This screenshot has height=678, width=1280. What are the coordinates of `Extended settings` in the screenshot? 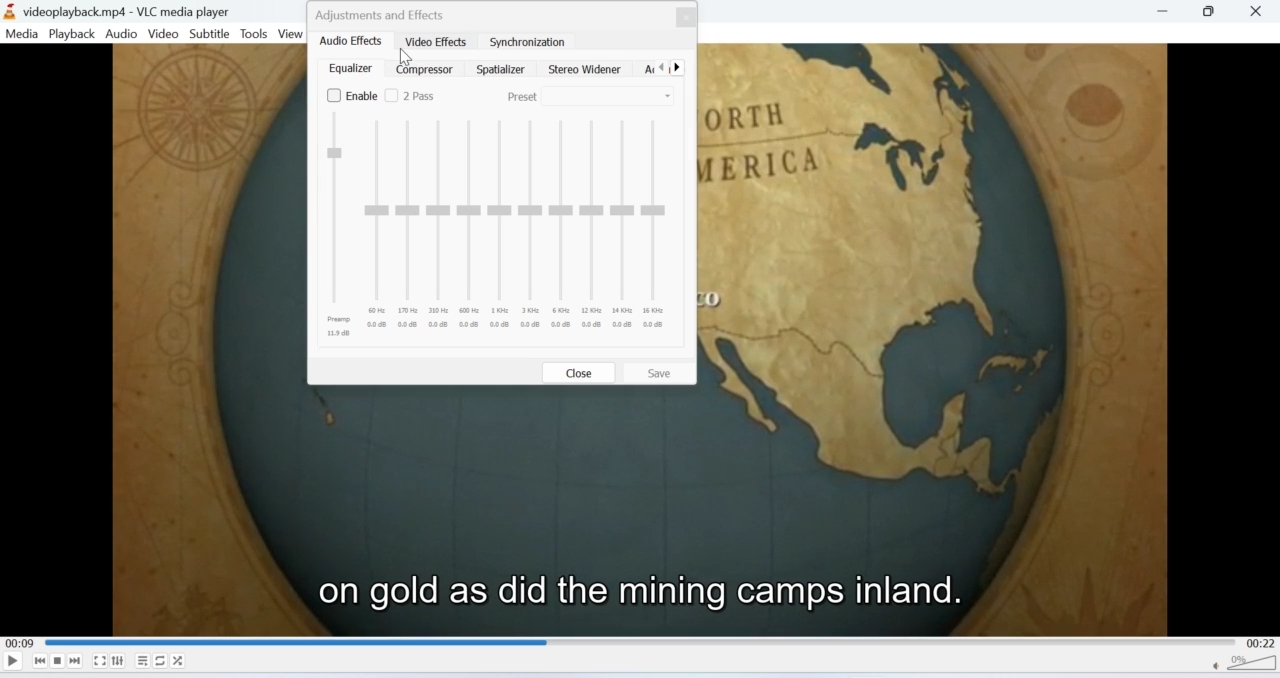 It's located at (117, 660).